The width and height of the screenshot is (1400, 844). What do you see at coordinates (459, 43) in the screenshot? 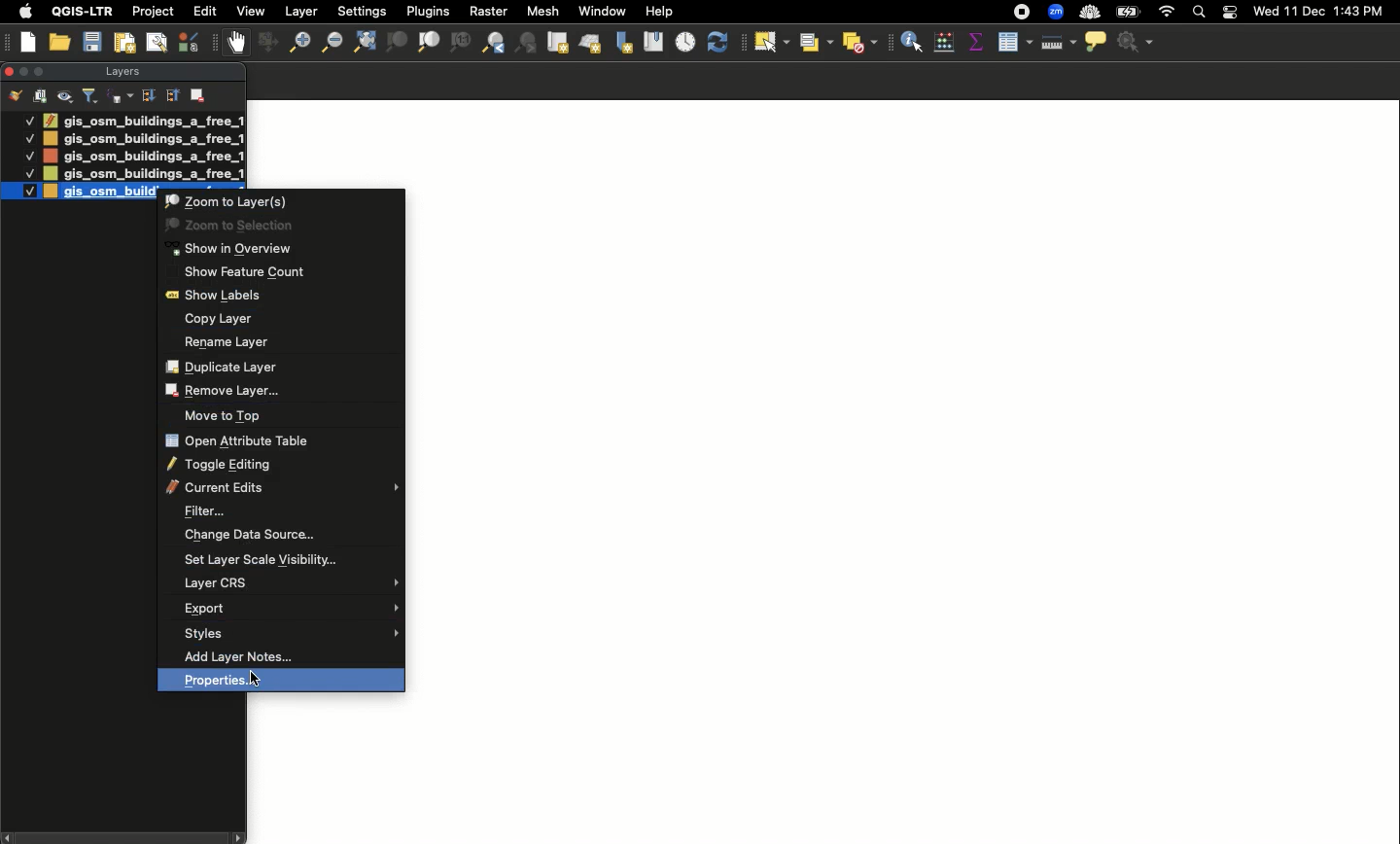
I see `1:1` at bounding box center [459, 43].